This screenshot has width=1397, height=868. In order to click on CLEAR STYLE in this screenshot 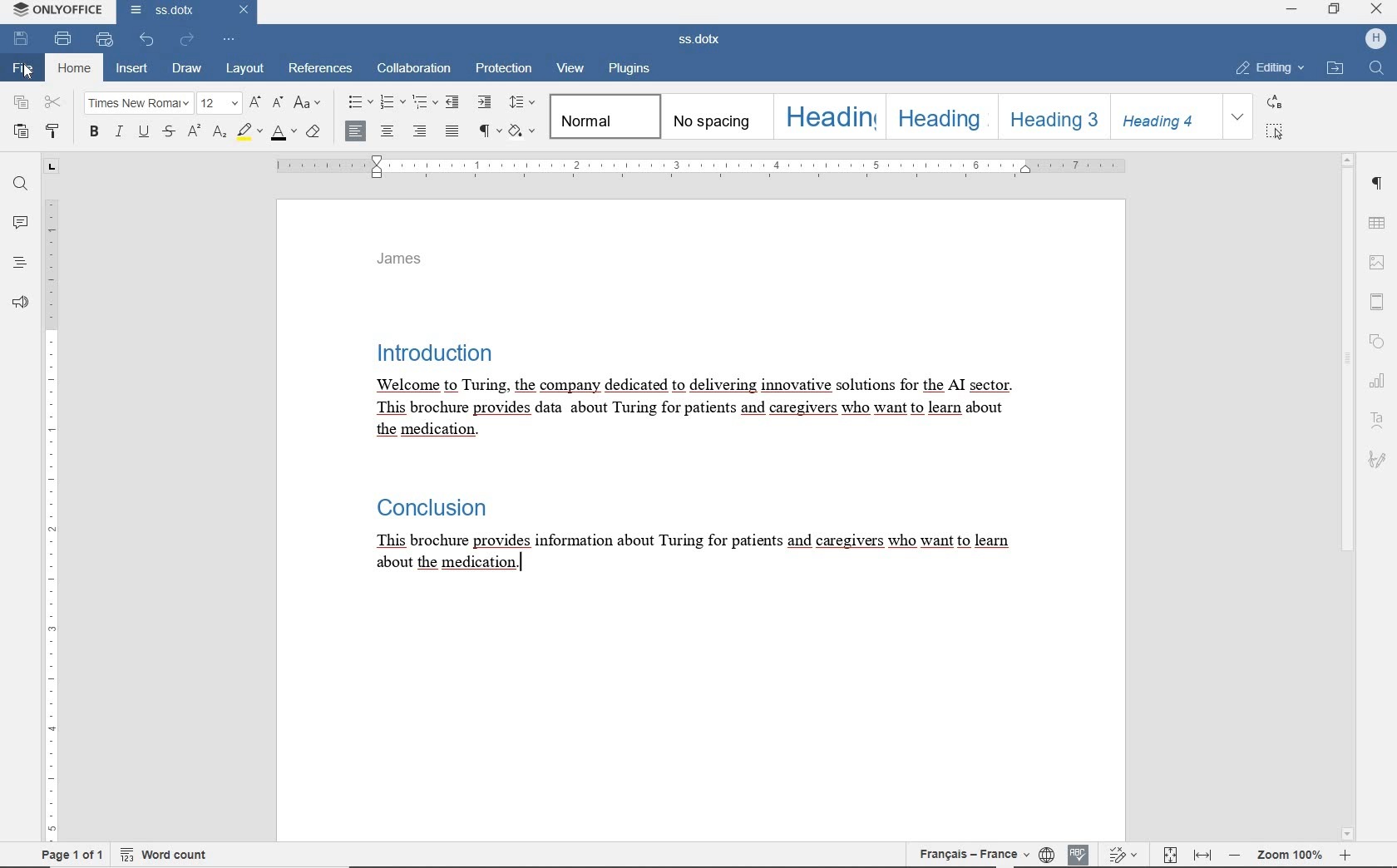, I will do `click(314, 133)`.